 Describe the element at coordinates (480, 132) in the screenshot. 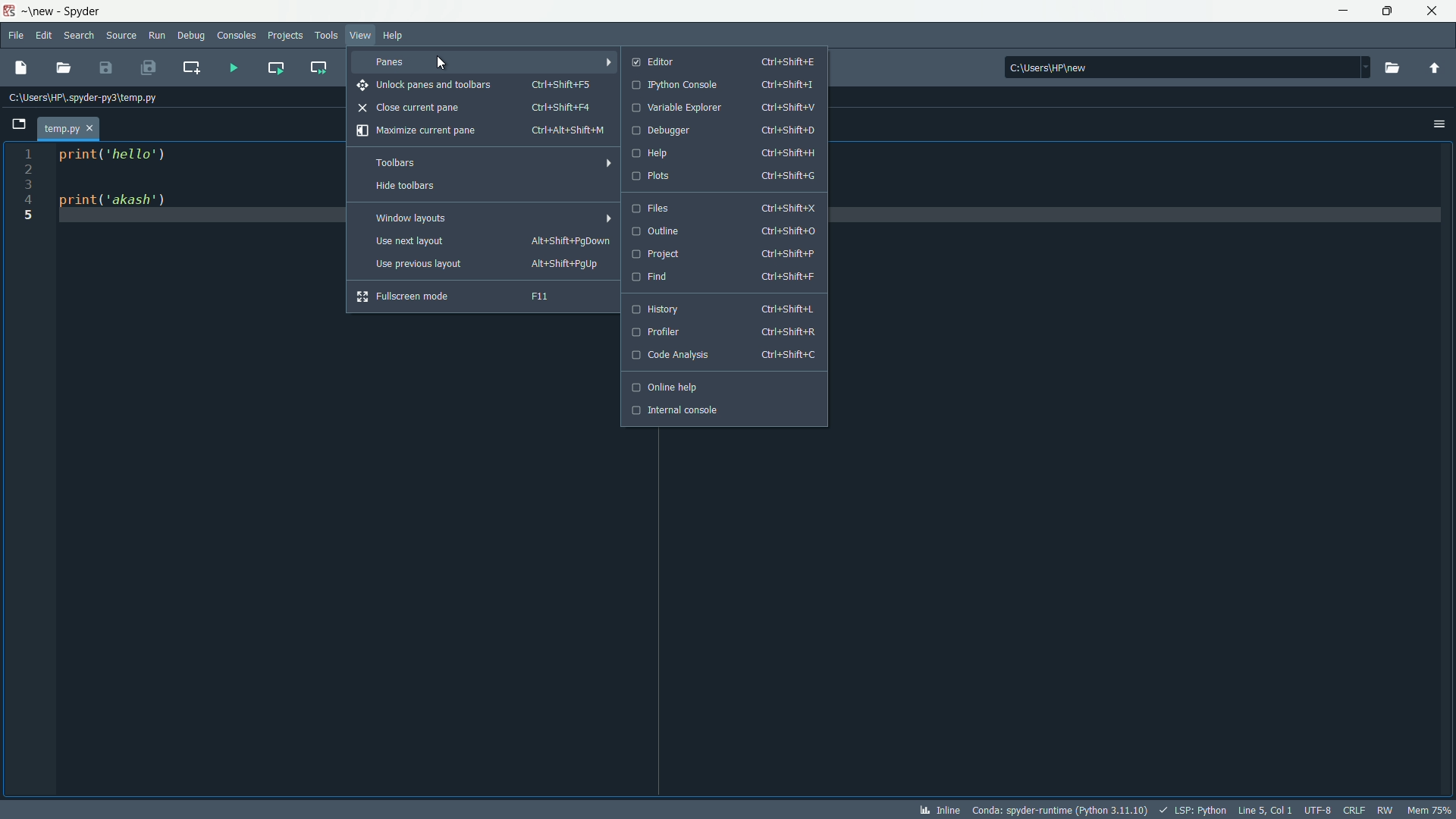

I see `maximize current pane` at that location.